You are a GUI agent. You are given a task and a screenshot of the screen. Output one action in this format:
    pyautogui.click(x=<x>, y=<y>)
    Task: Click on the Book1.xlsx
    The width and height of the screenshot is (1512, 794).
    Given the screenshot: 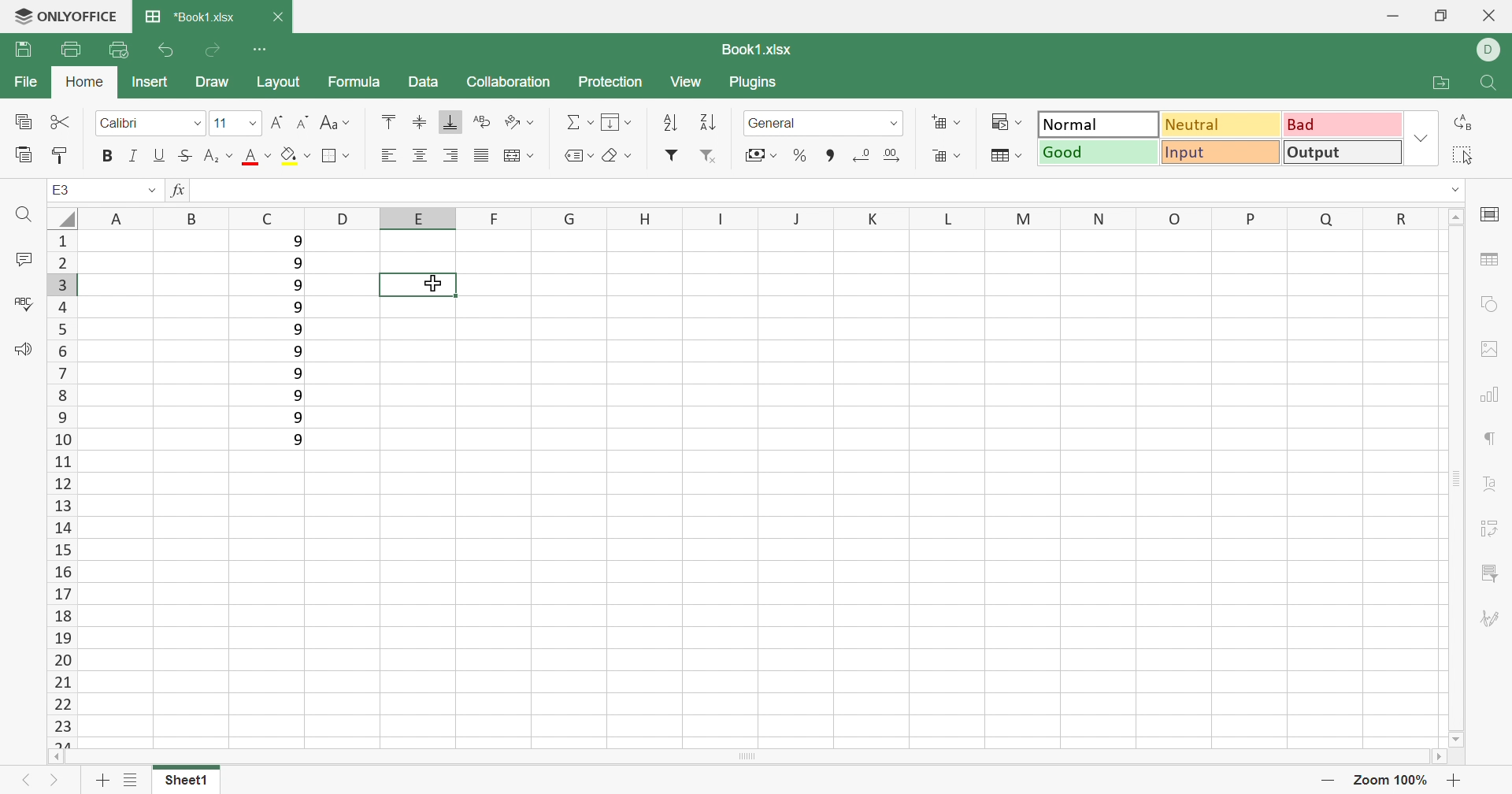 What is the action you would take?
    pyautogui.click(x=763, y=51)
    